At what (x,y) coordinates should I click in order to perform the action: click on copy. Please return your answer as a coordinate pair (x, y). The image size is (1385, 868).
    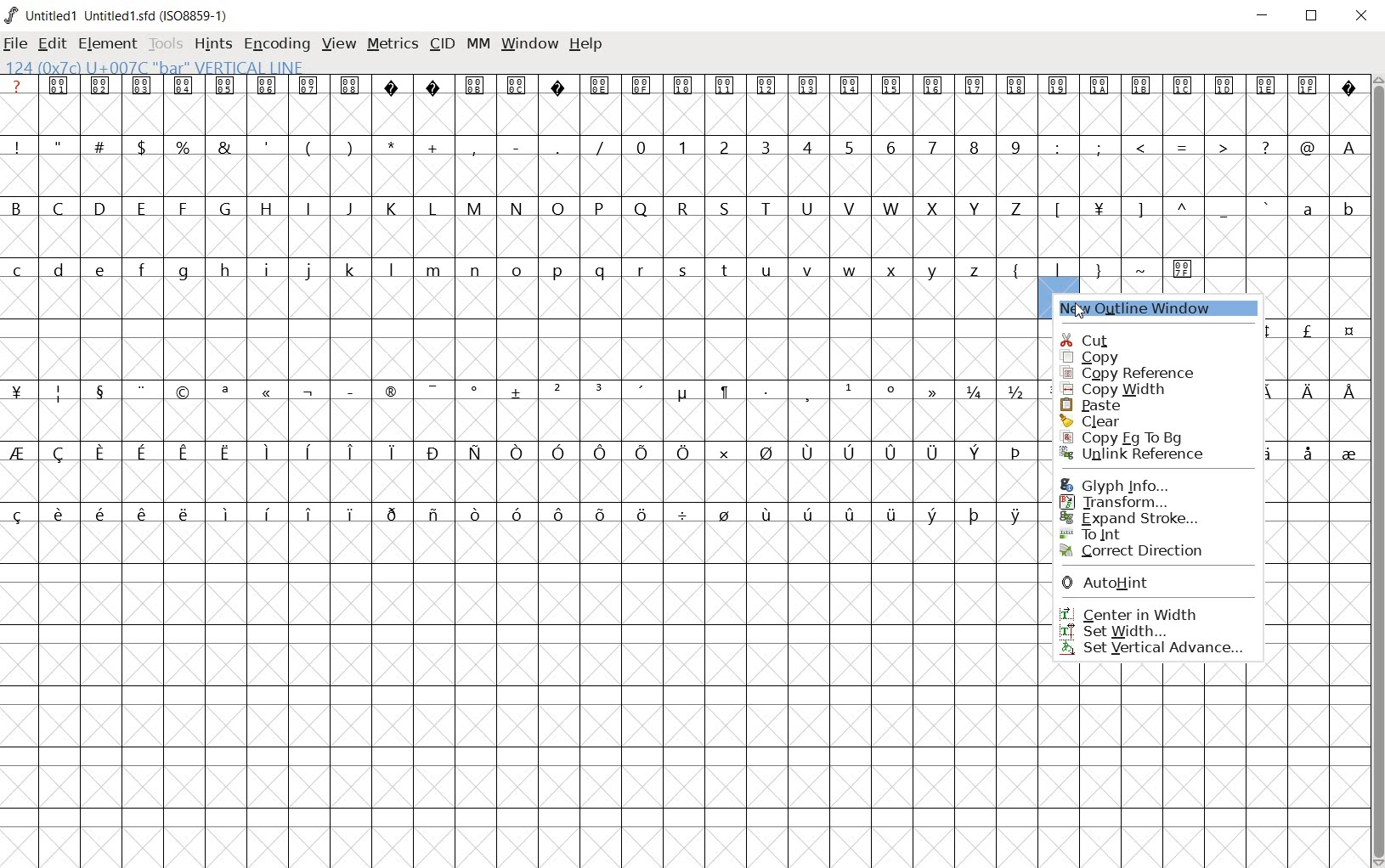
    Looking at the image, I should click on (1148, 357).